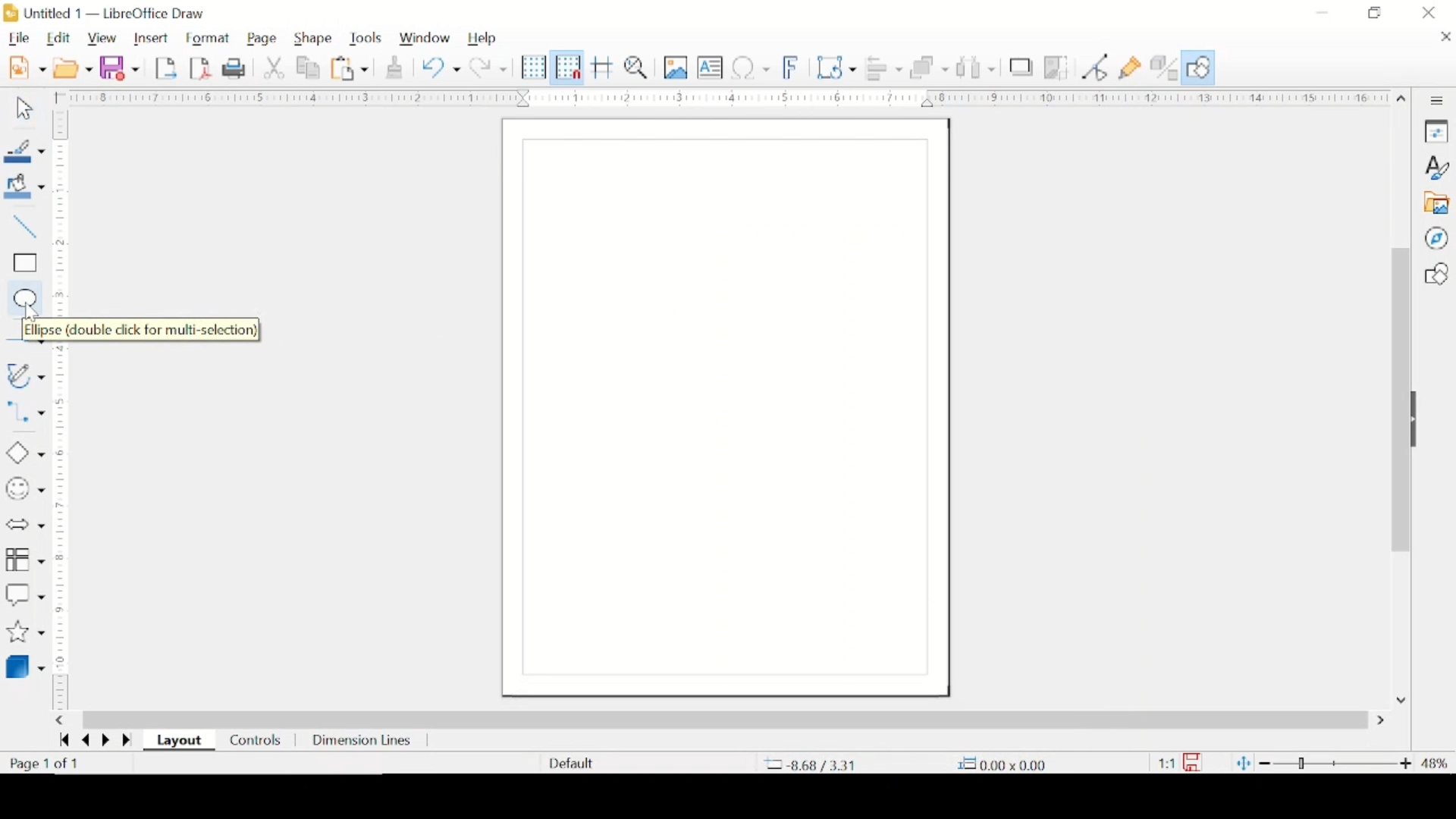 The width and height of the screenshot is (1456, 819). I want to click on insert, so click(154, 38).